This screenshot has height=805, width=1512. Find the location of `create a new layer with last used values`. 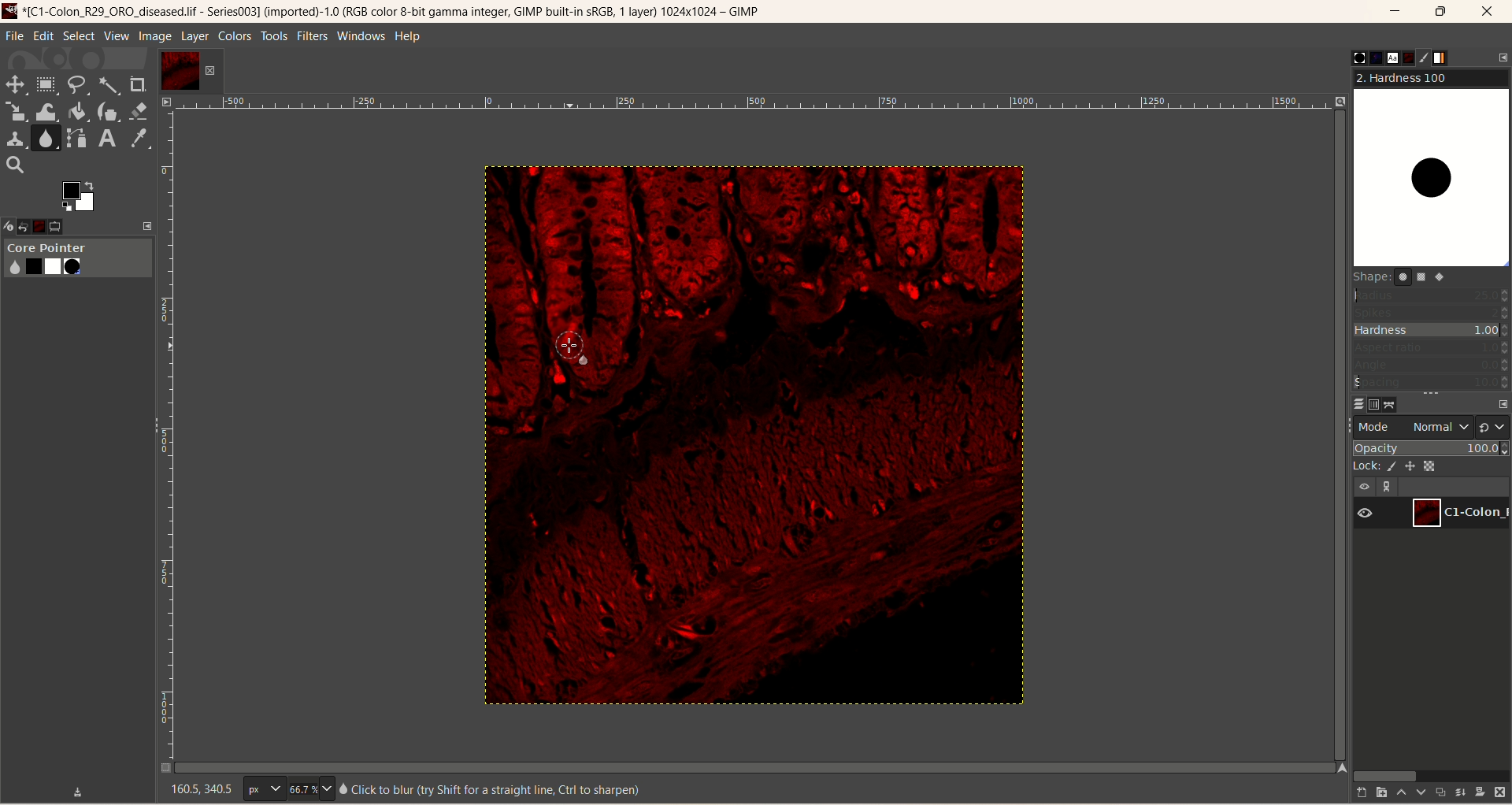

create a new layer with last used values is located at coordinates (1354, 793).